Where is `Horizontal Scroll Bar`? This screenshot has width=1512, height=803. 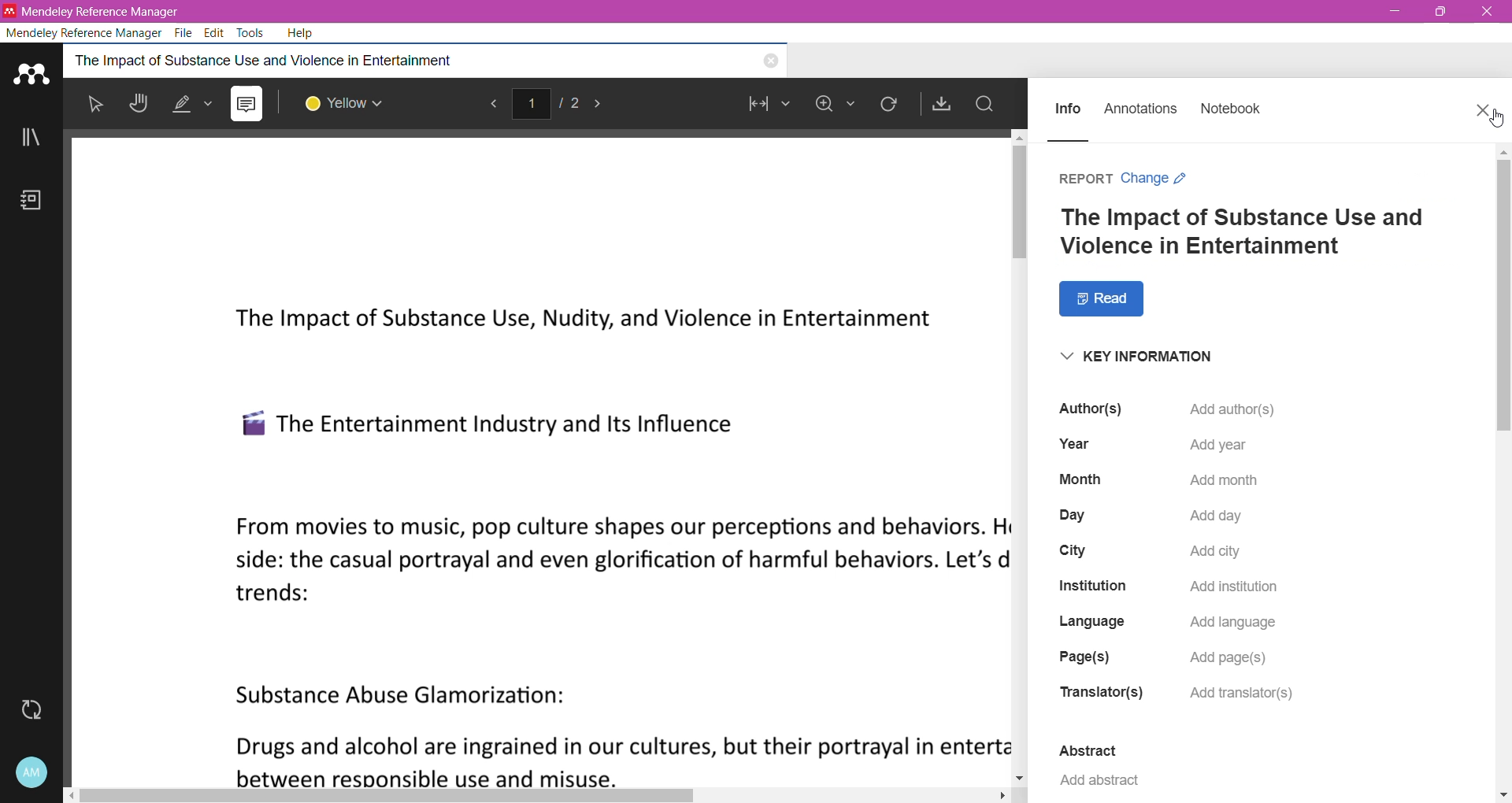 Horizontal Scroll Bar is located at coordinates (547, 794).